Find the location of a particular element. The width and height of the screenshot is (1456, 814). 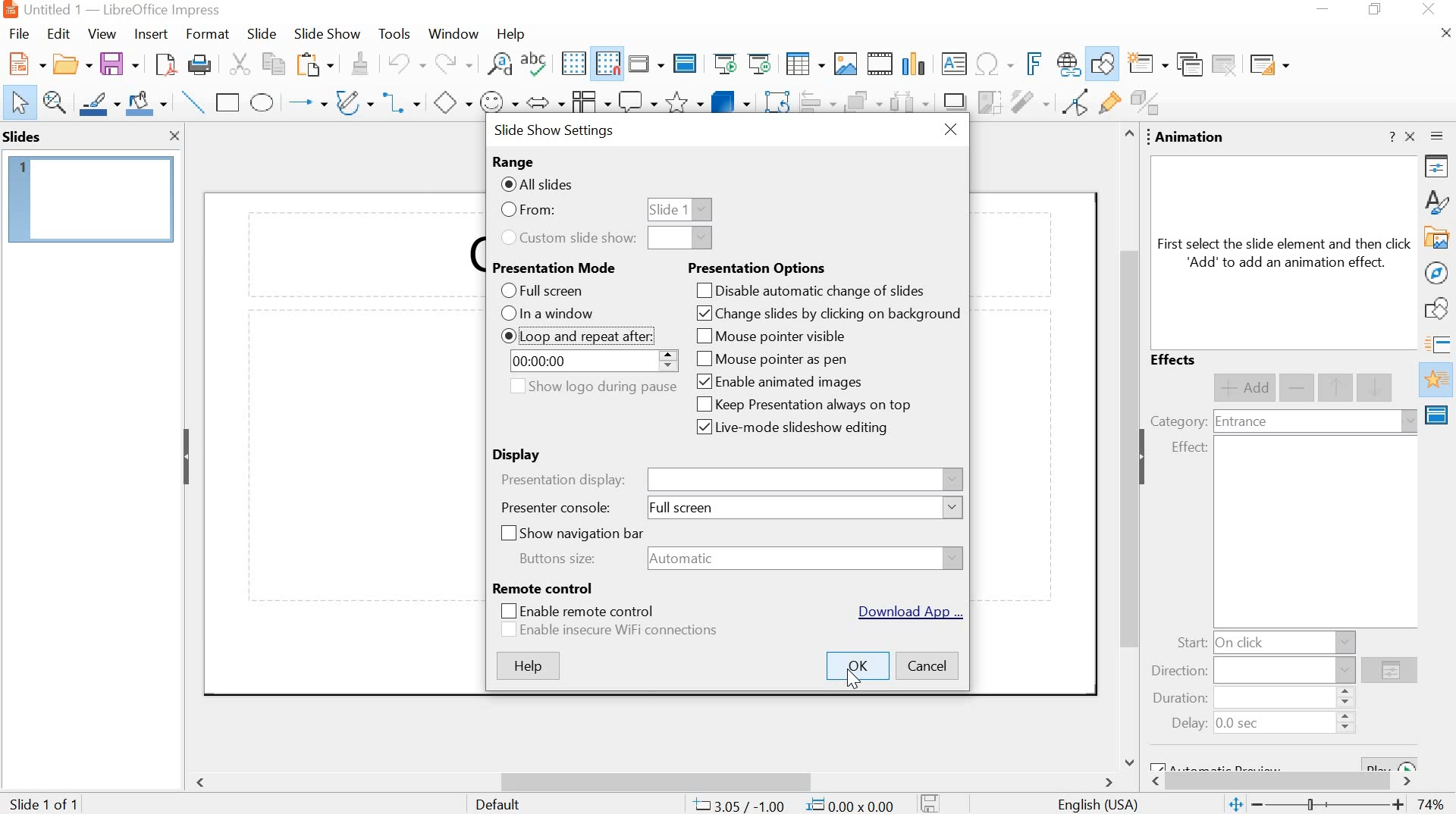

show navigation bar is located at coordinates (567, 533).